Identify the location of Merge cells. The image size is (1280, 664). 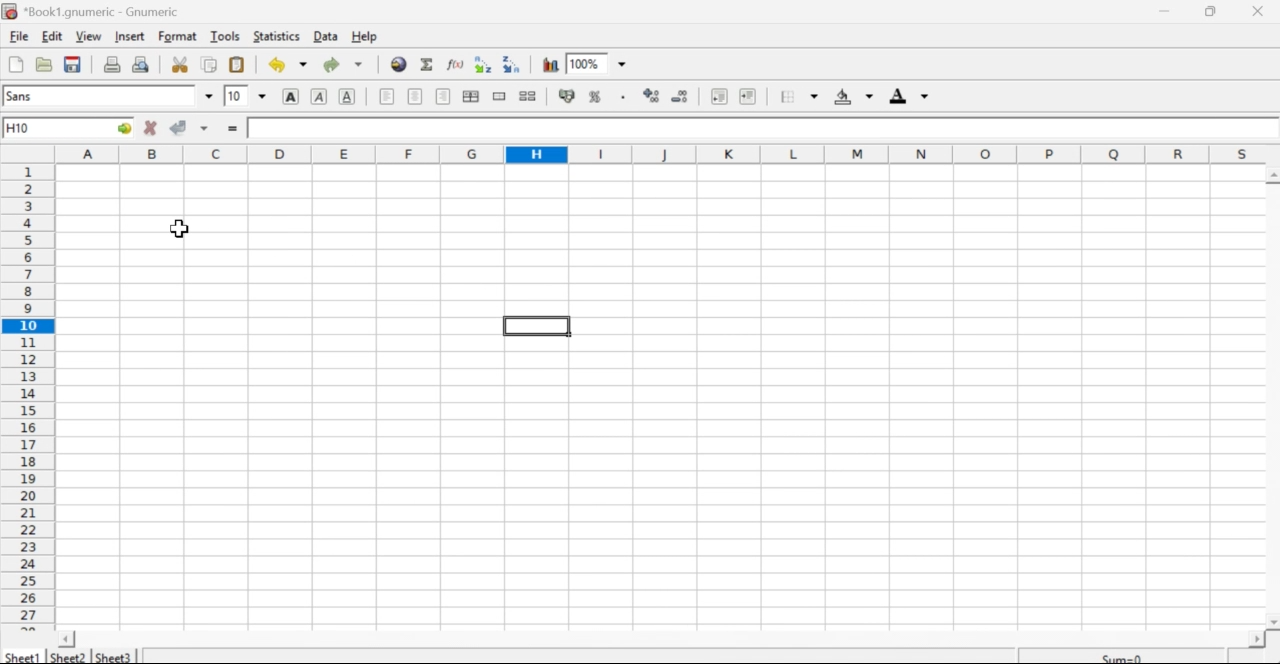
(499, 97).